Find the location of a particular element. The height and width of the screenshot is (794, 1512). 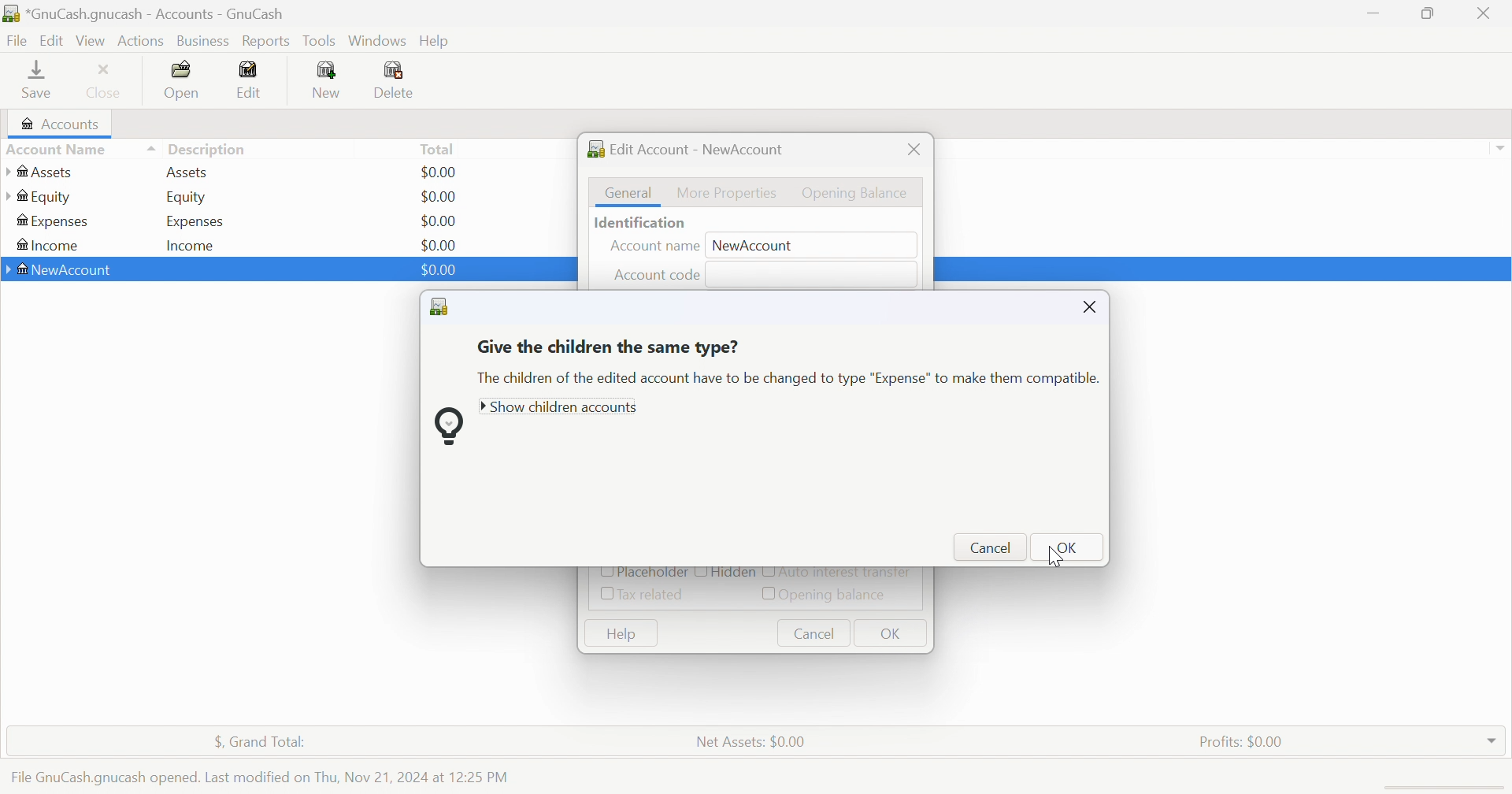

$0.00 is located at coordinates (439, 270).